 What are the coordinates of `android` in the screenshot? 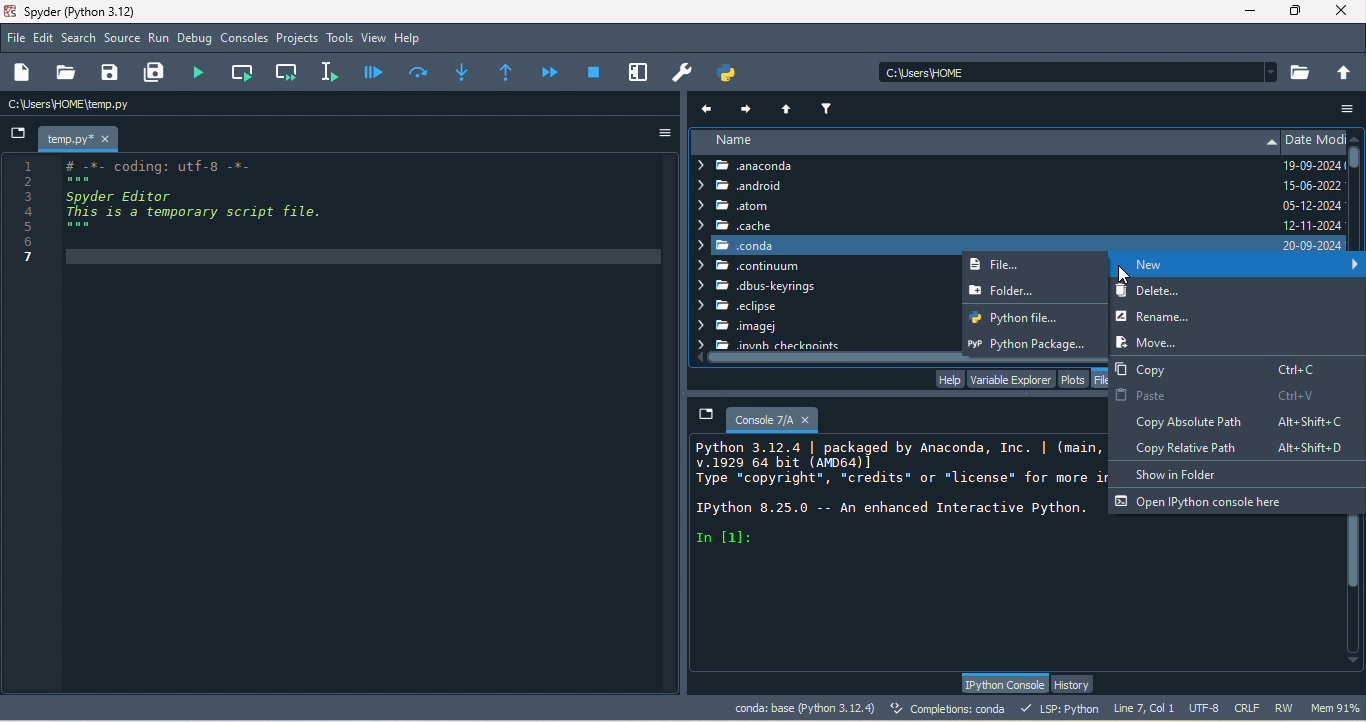 It's located at (753, 187).